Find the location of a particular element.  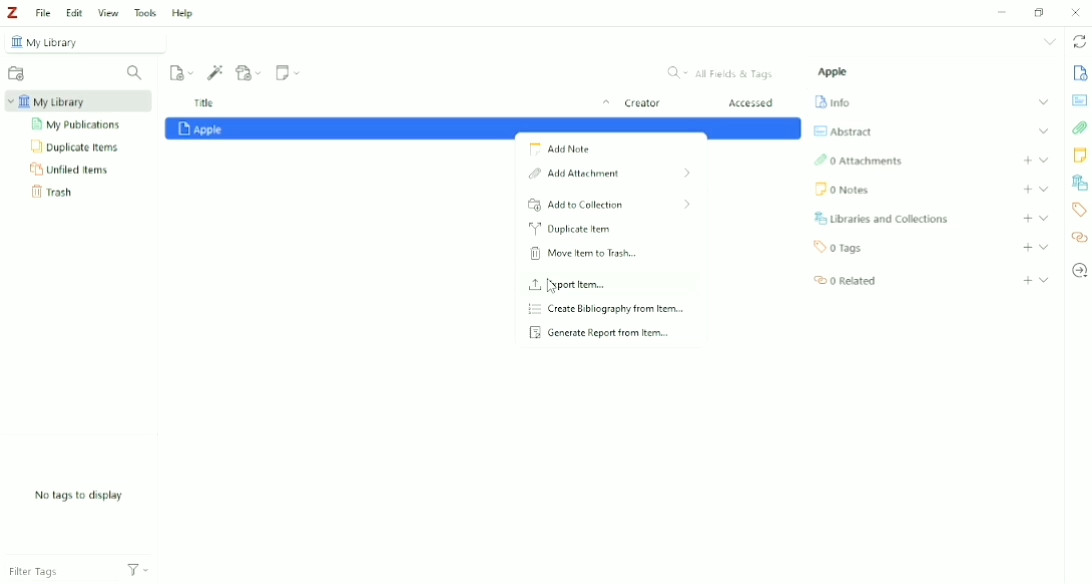

Help is located at coordinates (182, 12).